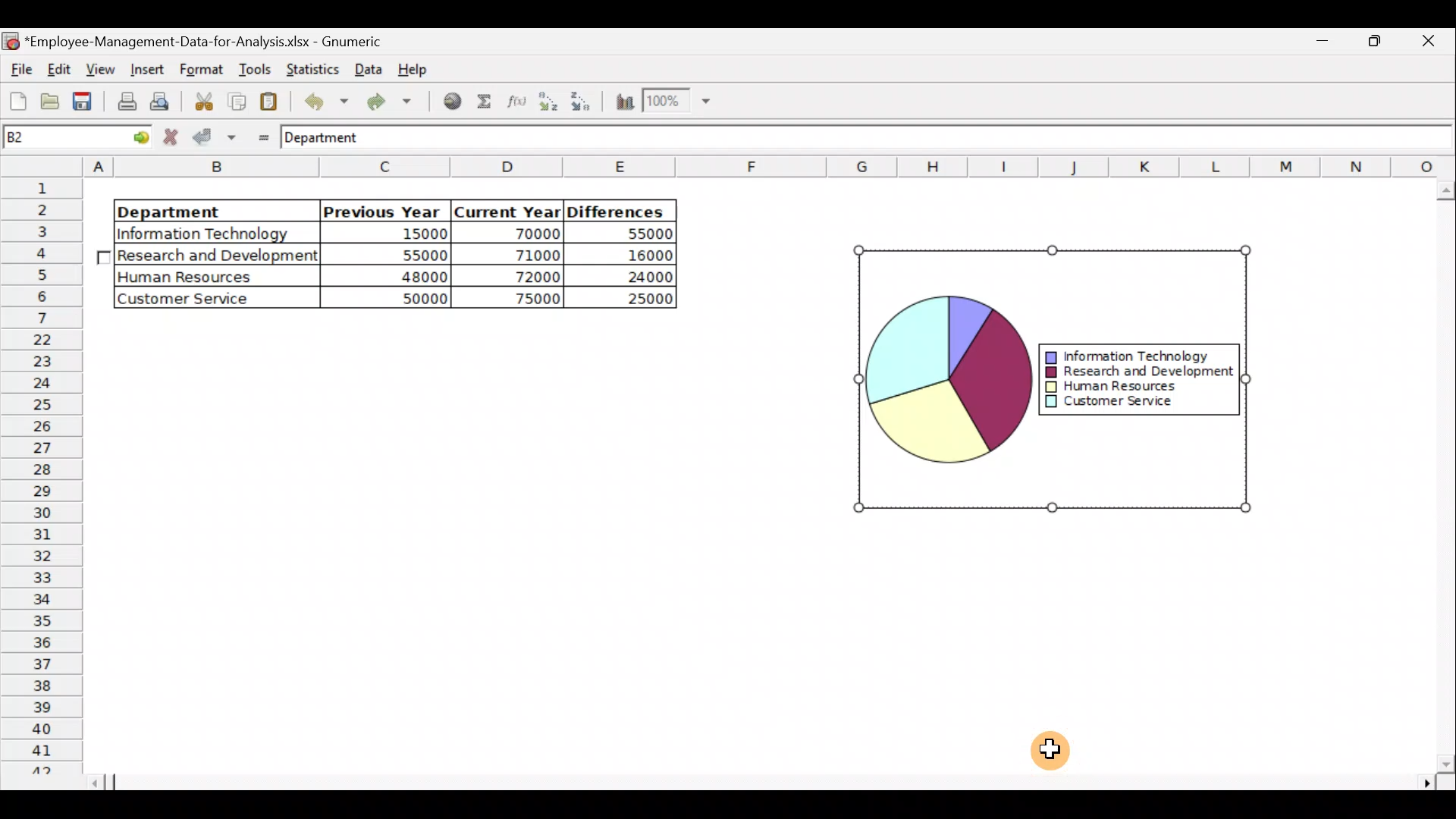 The image size is (1456, 819). Describe the element at coordinates (251, 68) in the screenshot. I see `Tools` at that location.